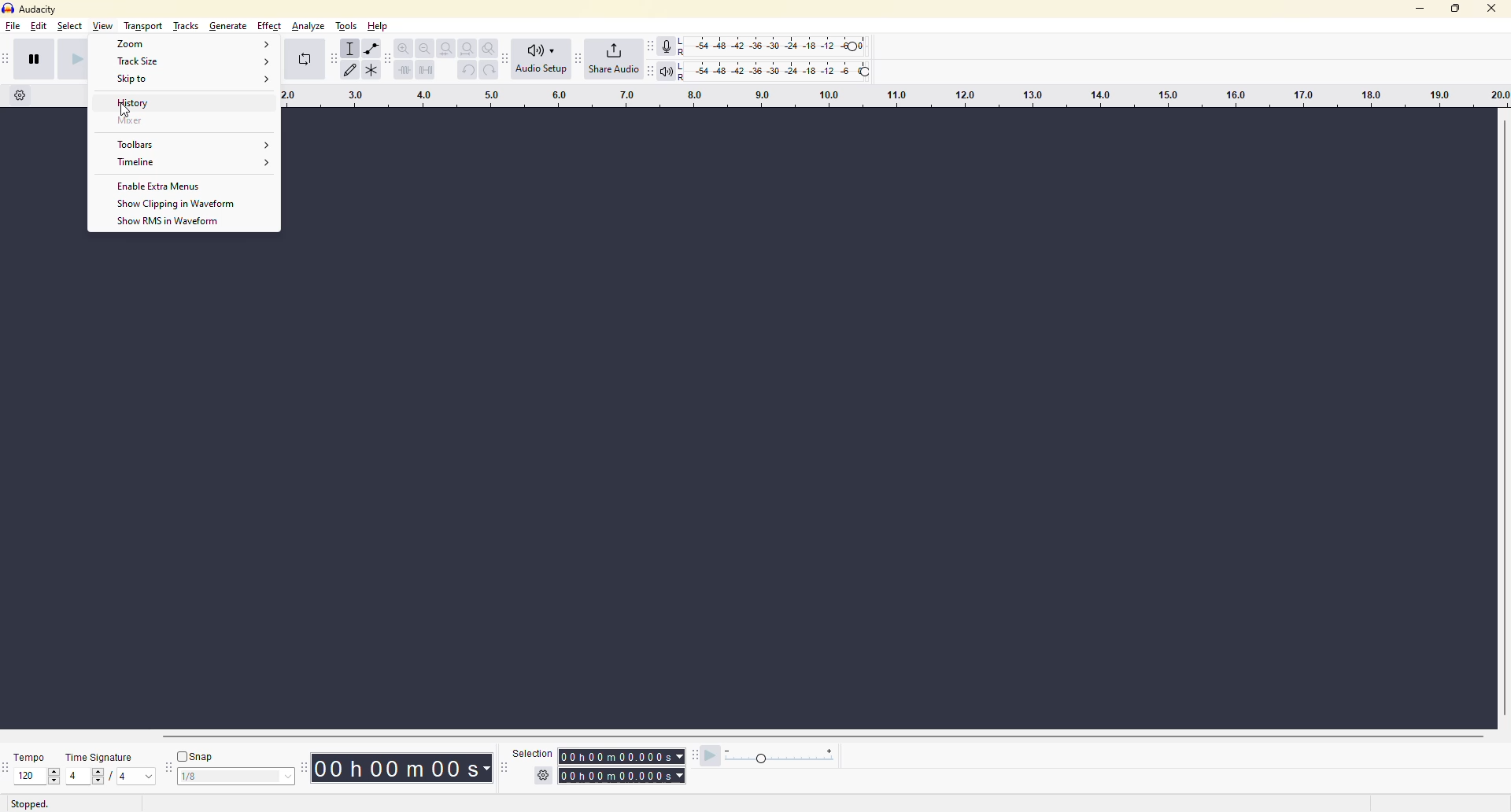 The image size is (1511, 812). Describe the element at coordinates (704, 754) in the screenshot. I see `play at speed` at that location.